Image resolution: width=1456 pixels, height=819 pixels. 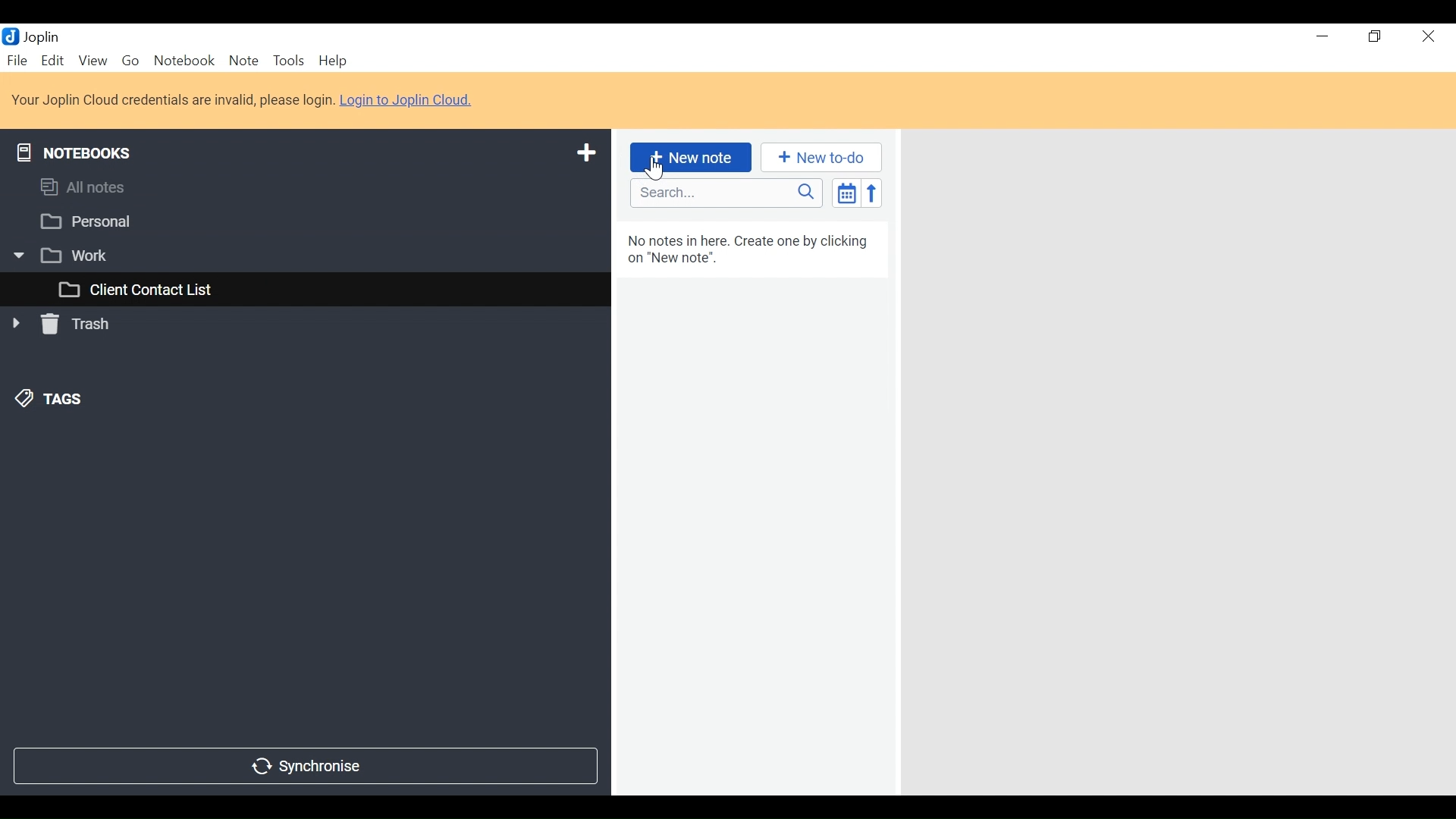 I want to click on Synchronise, so click(x=306, y=767).